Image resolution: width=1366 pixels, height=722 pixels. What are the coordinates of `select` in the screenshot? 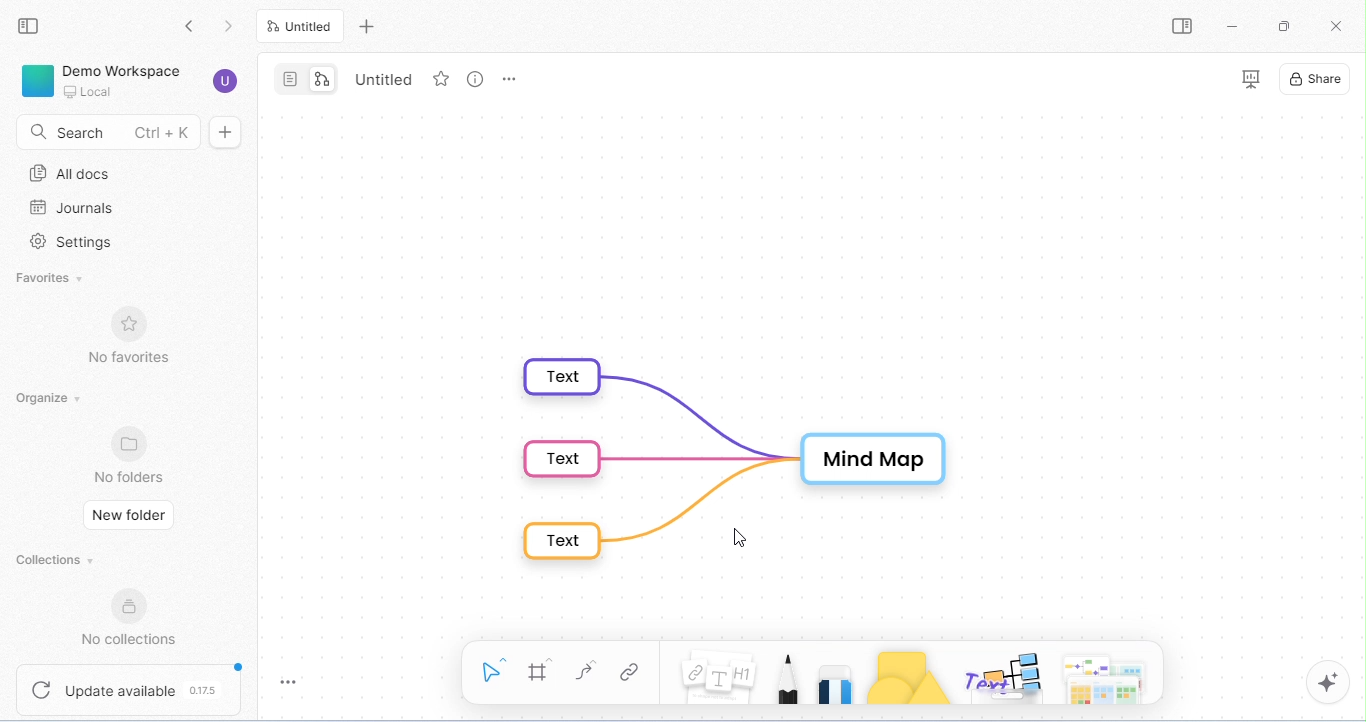 It's located at (490, 671).